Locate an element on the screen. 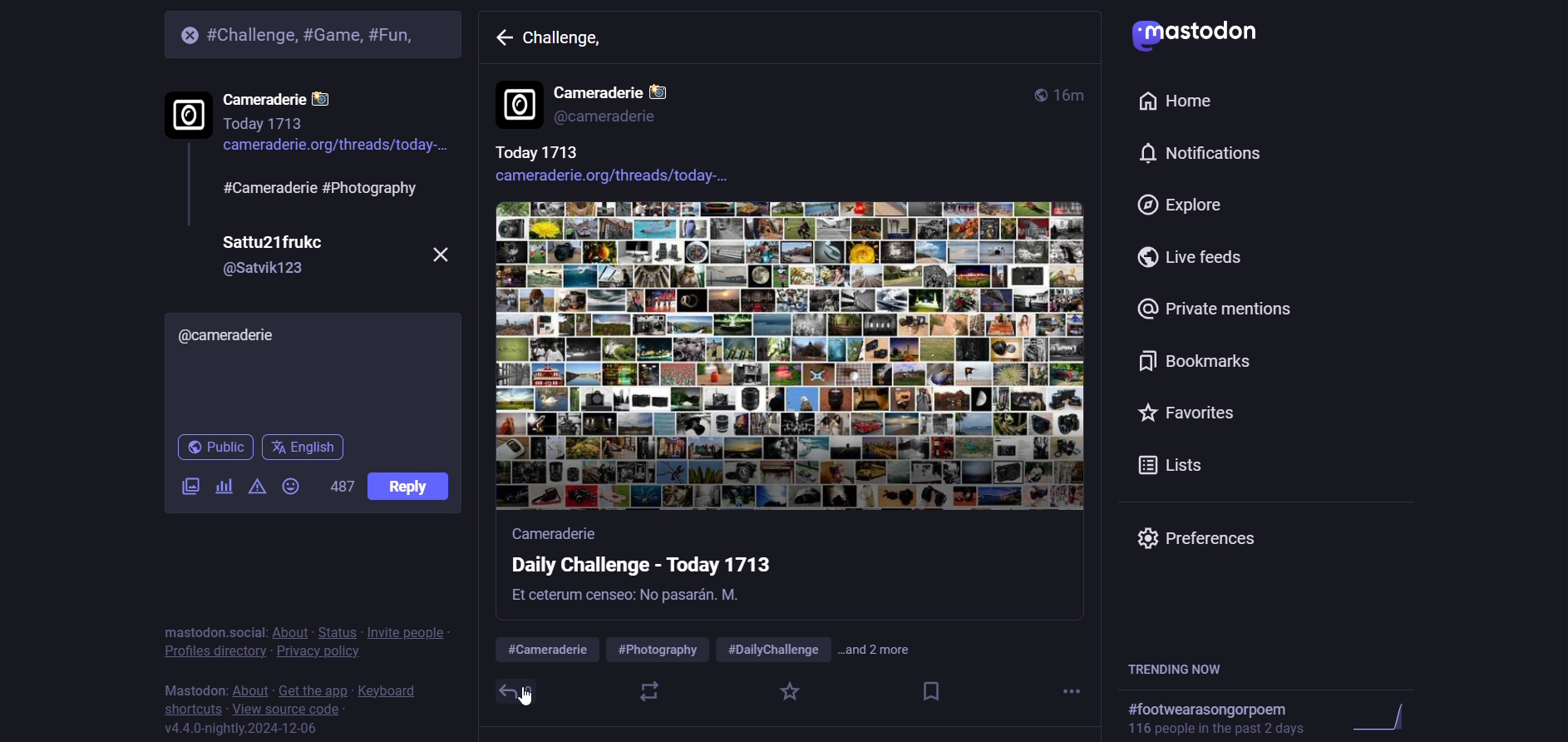 Image resolution: width=1568 pixels, height=742 pixels. @cameraderie is located at coordinates (233, 334).